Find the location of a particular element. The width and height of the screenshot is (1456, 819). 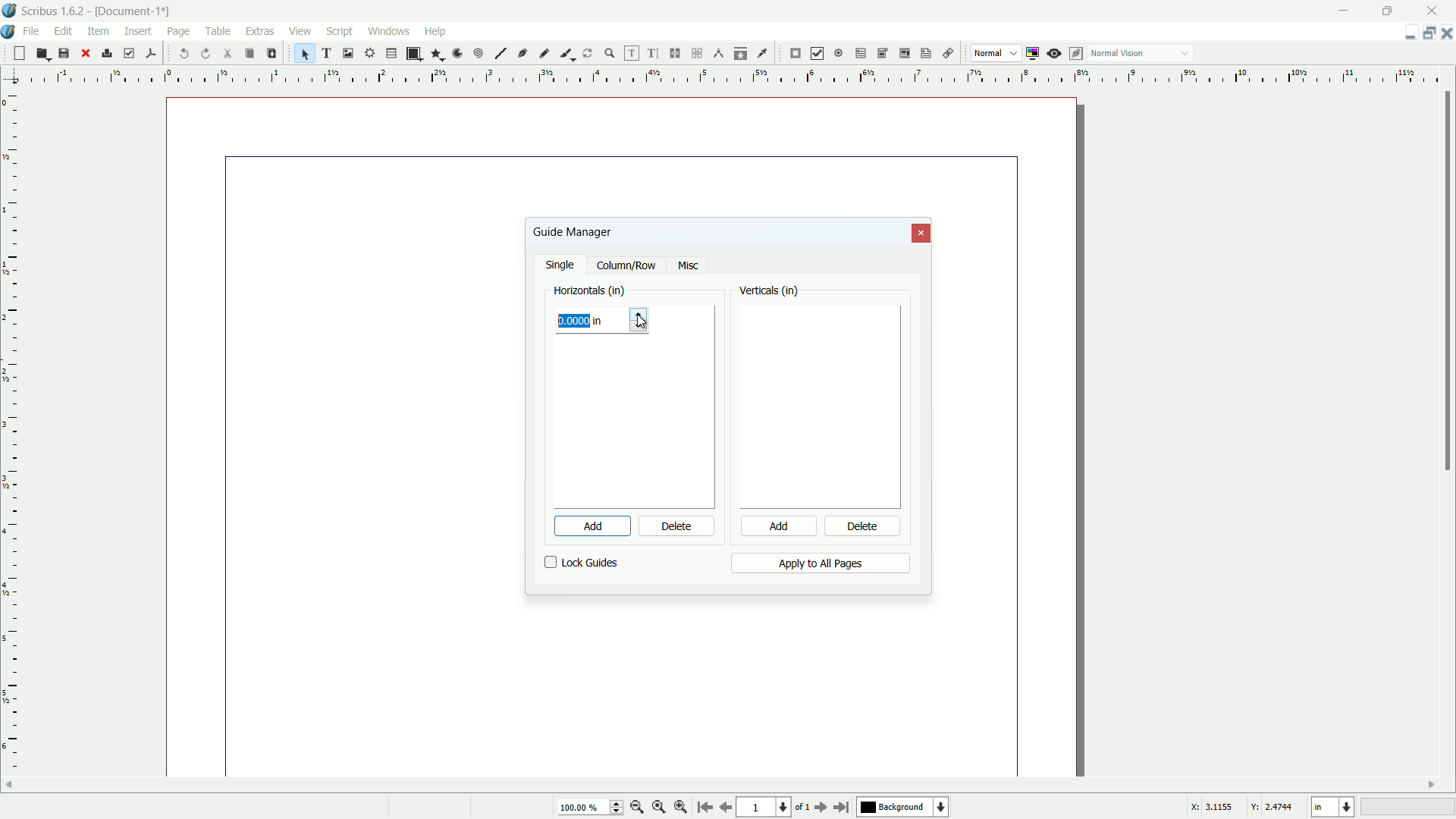

edit in preview mode is located at coordinates (1078, 53).